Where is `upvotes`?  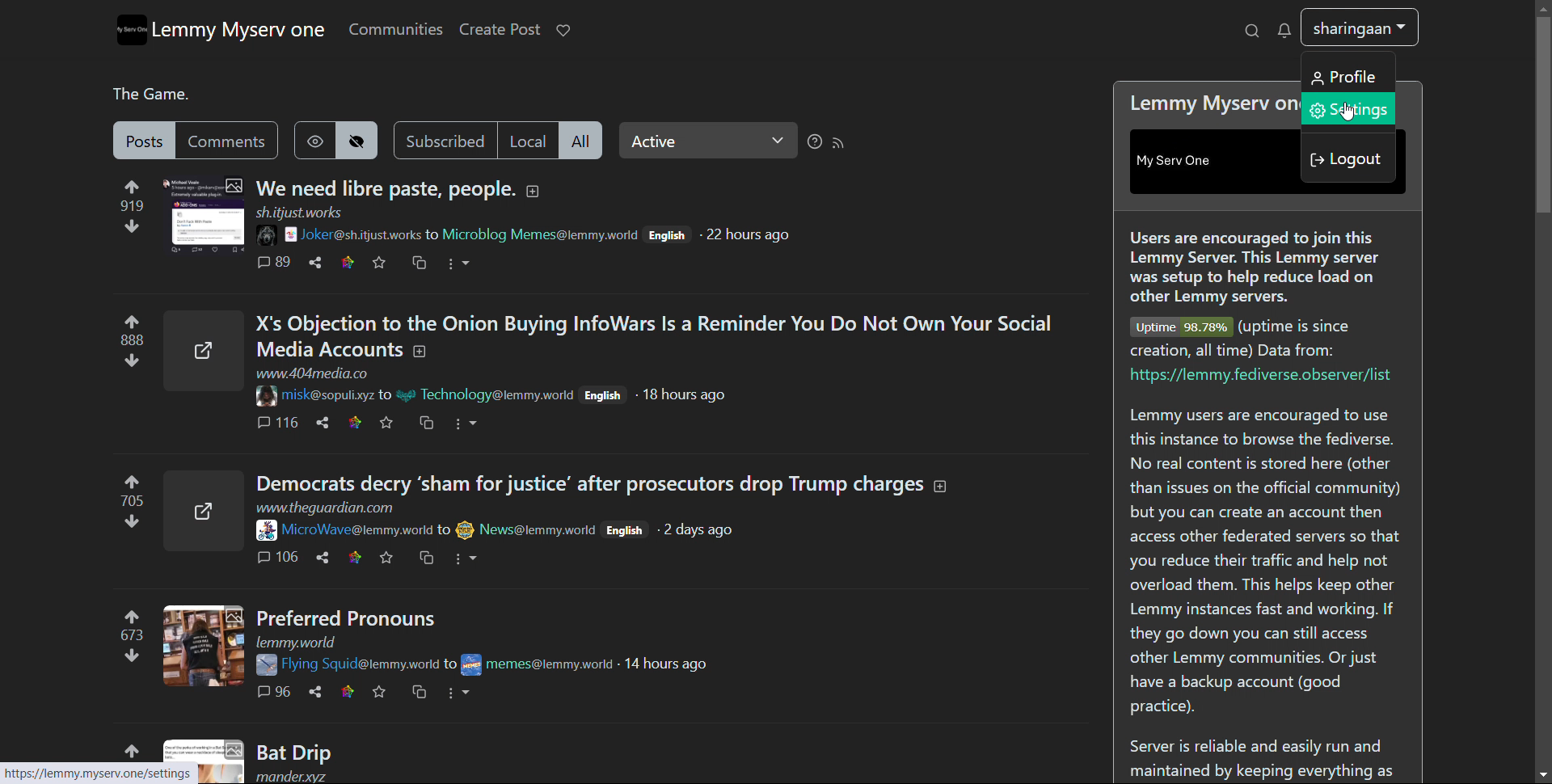 upvotes is located at coordinates (127, 753).